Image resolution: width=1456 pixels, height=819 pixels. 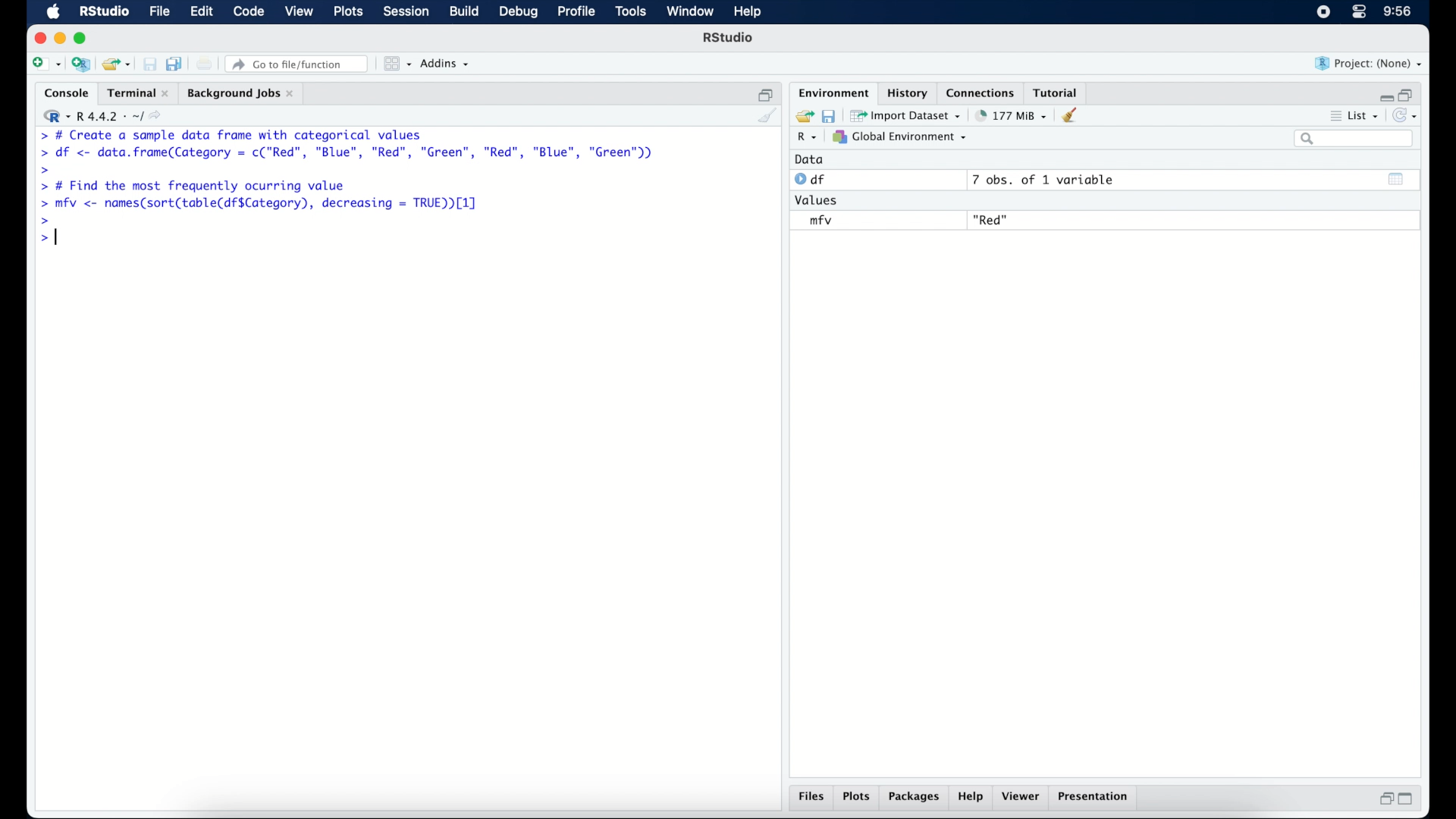 I want to click on connections, so click(x=982, y=92).